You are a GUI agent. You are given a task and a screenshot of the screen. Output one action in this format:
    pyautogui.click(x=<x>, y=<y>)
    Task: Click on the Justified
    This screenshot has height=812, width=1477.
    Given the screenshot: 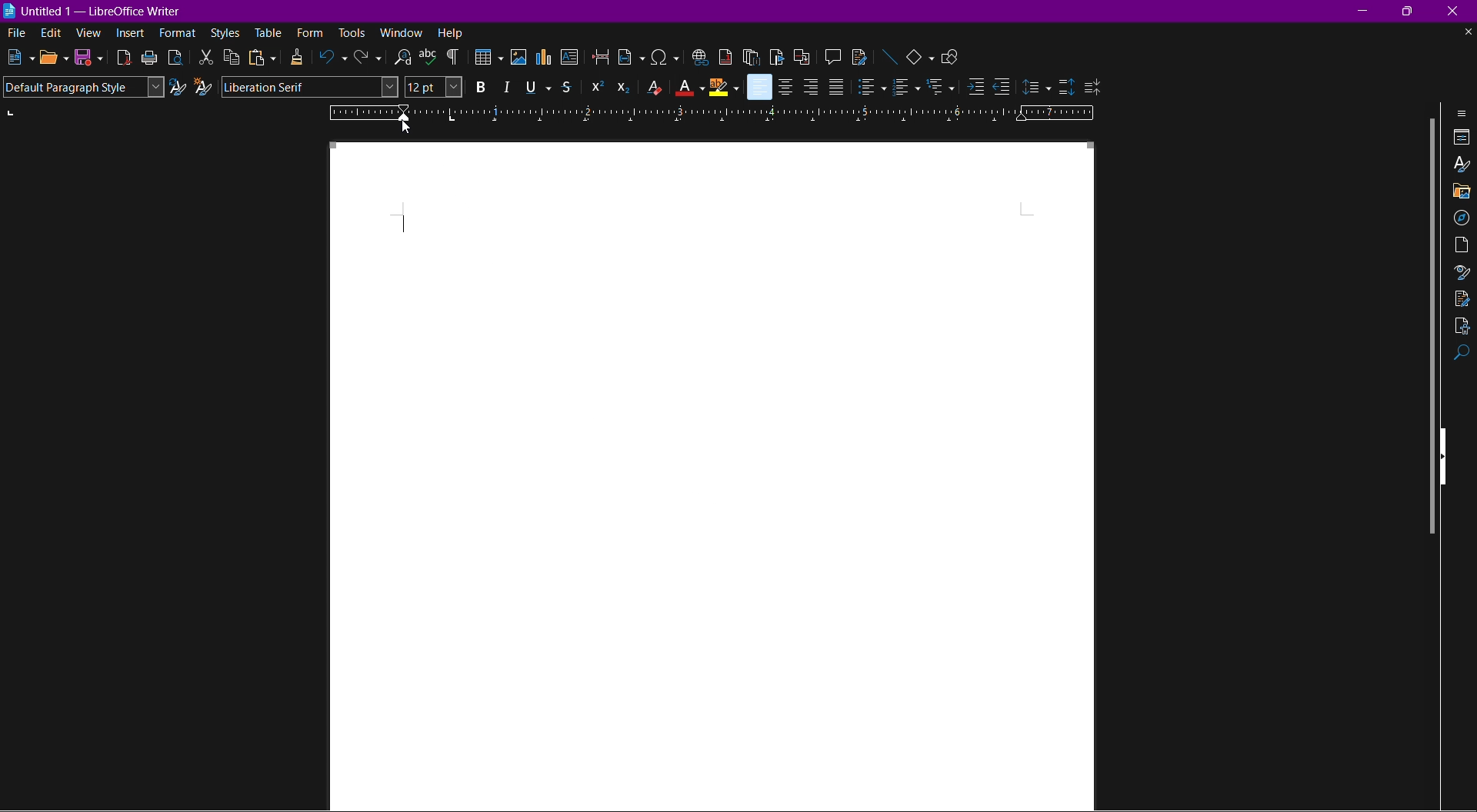 What is the action you would take?
    pyautogui.click(x=836, y=87)
    